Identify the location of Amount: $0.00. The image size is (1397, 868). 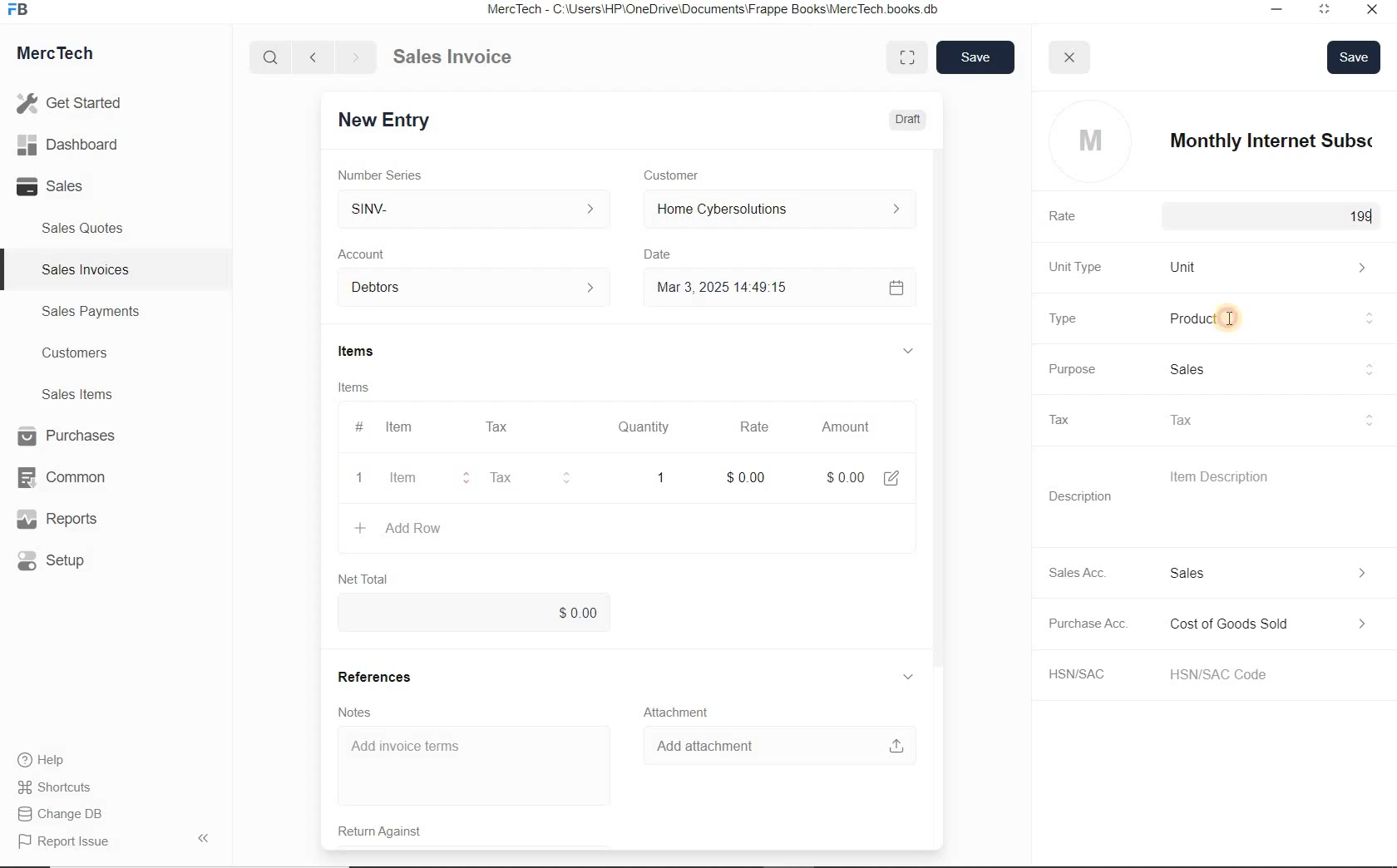
(841, 476).